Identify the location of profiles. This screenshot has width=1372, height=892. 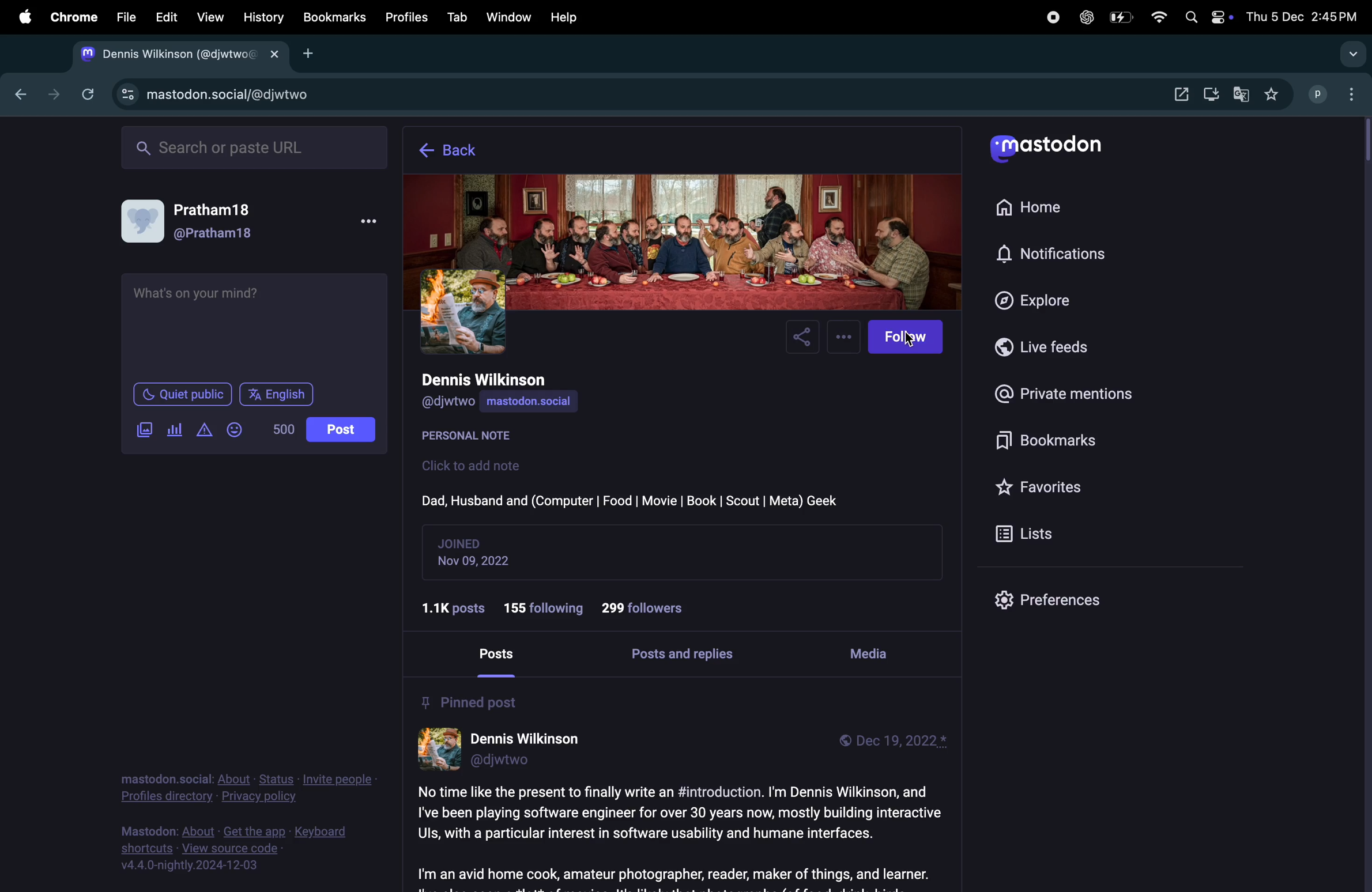
(410, 17).